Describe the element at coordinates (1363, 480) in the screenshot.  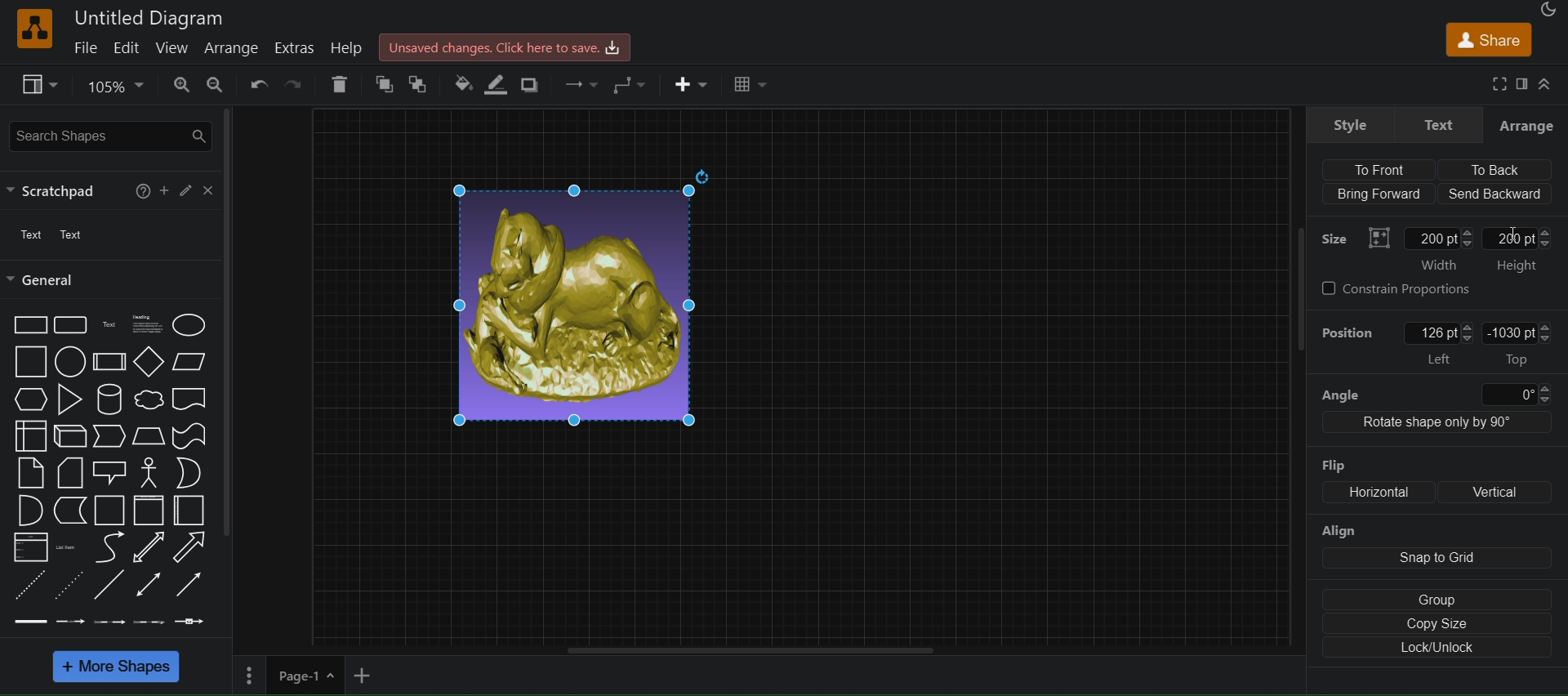
I see `flip: Horizontal` at that location.